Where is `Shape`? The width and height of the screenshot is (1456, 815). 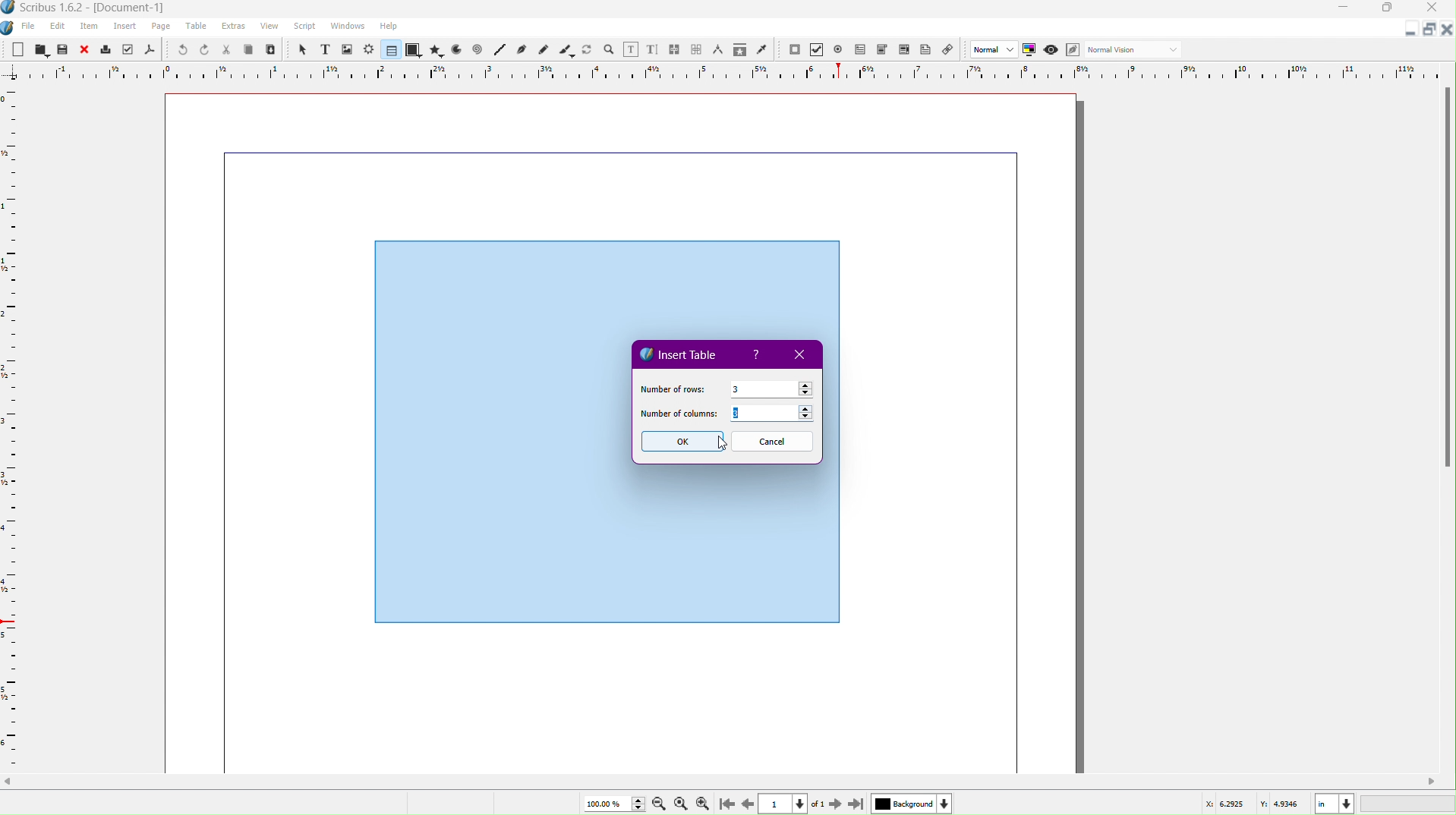 Shape is located at coordinates (414, 51).